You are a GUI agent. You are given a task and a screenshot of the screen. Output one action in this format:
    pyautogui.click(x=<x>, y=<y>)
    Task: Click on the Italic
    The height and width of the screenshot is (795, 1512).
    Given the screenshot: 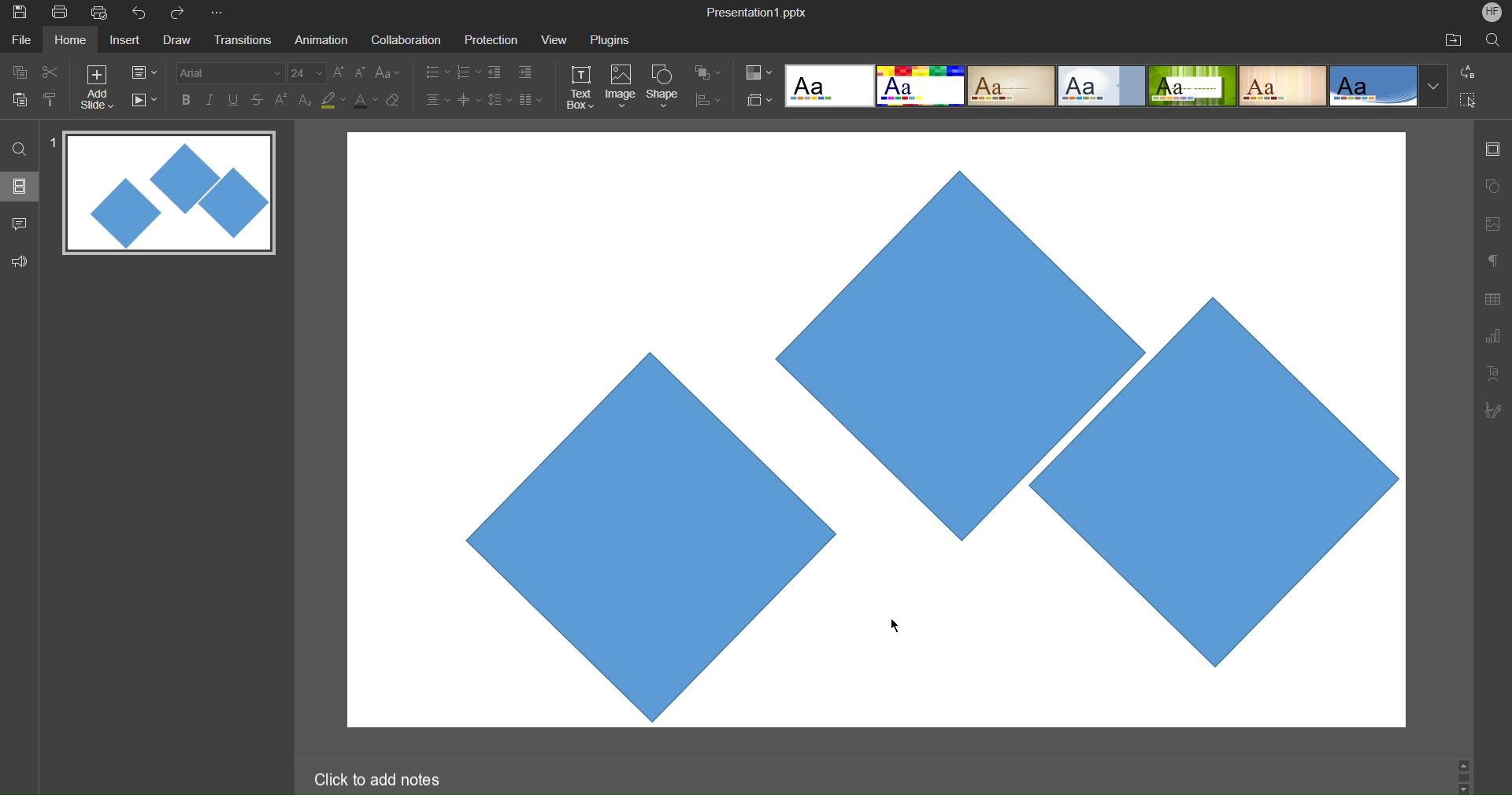 What is the action you would take?
    pyautogui.click(x=209, y=100)
    